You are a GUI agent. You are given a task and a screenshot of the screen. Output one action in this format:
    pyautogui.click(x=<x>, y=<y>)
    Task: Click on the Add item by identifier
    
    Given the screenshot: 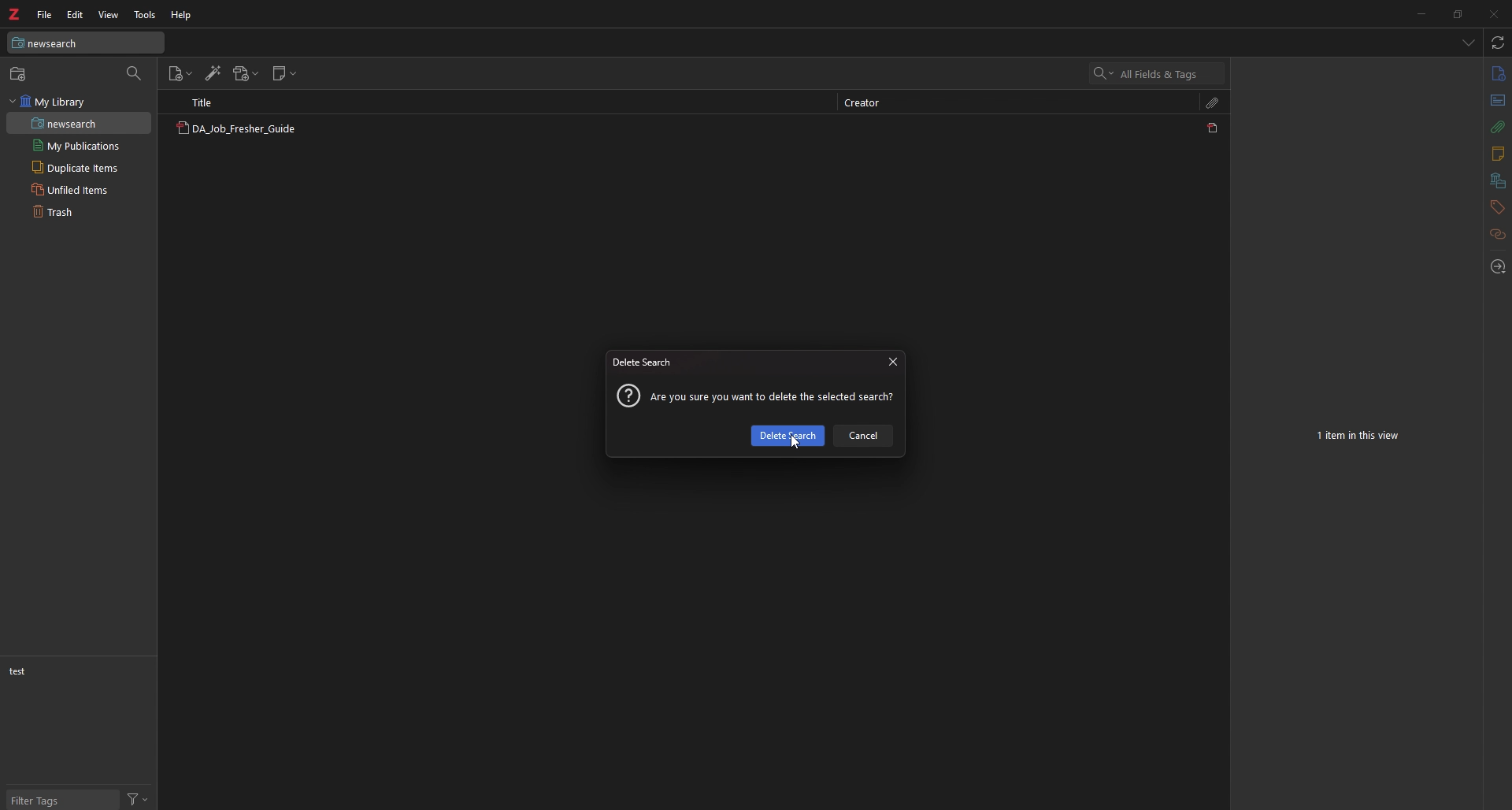 What is the action you would take?
    pyautogui.click(x=211, y=74)
    